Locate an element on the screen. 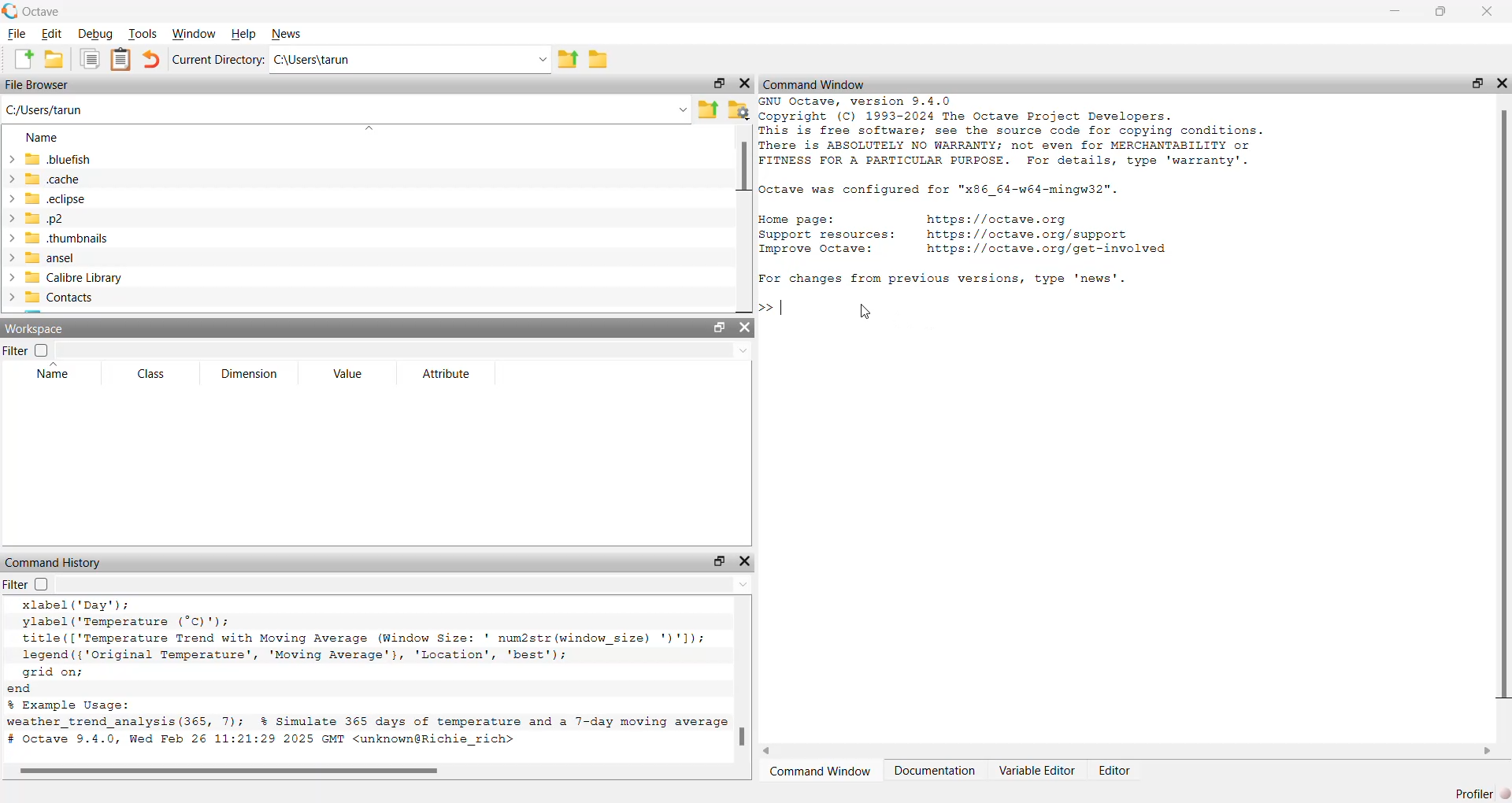 The height and width of the screenshot is (803, 1512). maximise is located at coordinates (717, 83).